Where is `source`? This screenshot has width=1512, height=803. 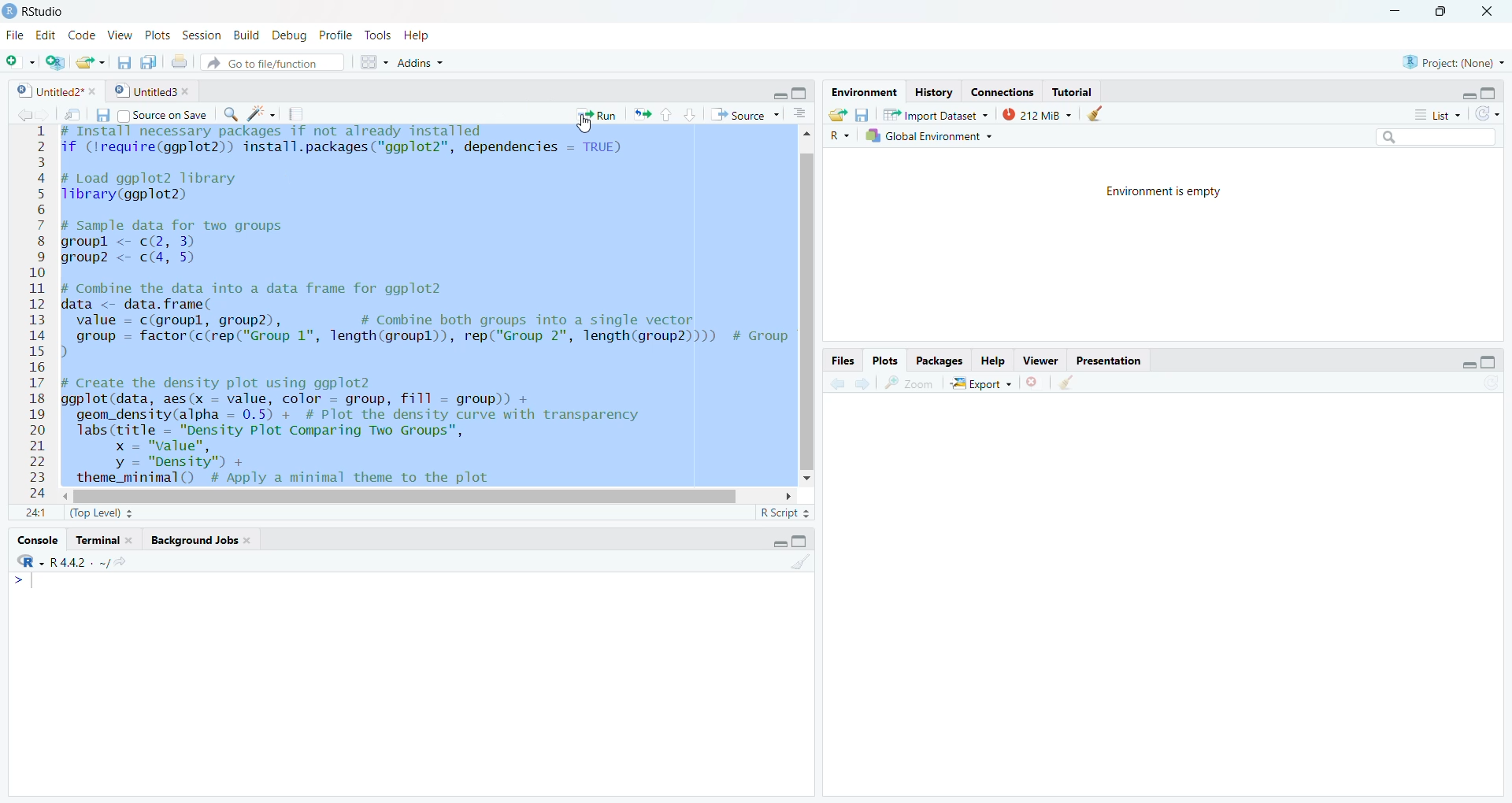
source is located at coordinates (744, 115).